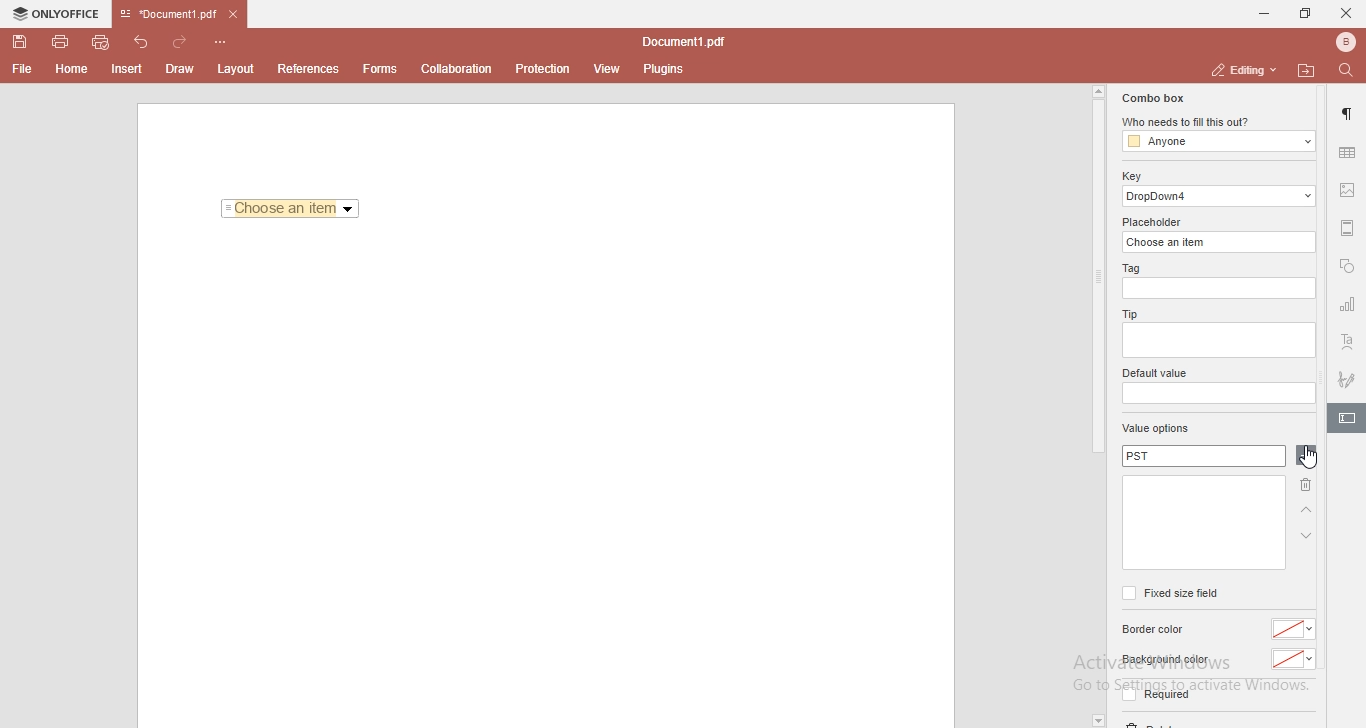 The width and height of the screenshot is (1366, 728). Describe the element at coordinates (1347, 152) in the screenshot. I see `table` at that location.